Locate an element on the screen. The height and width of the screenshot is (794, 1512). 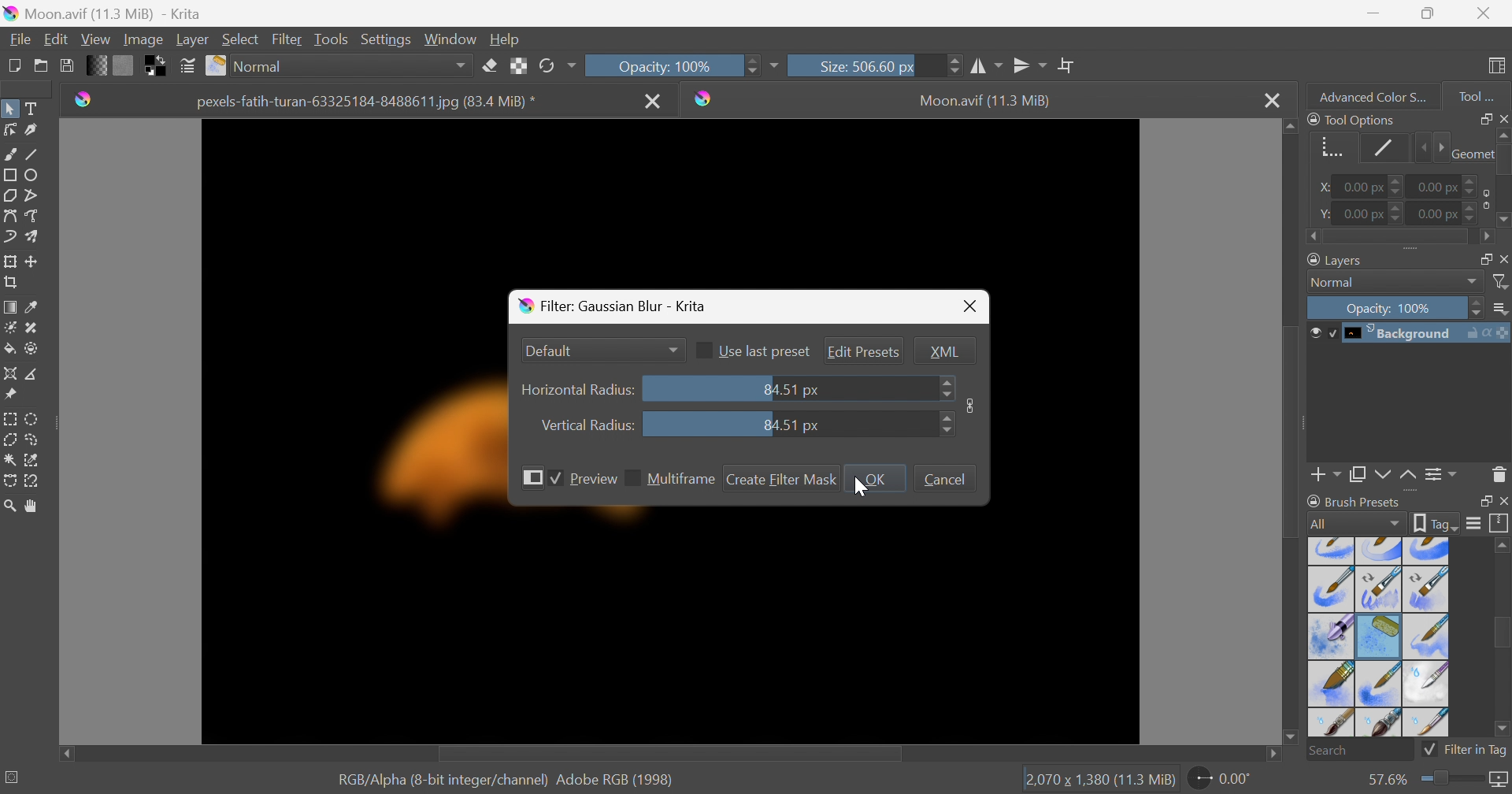
Sample a color from the image or current layer is located at coordinates (31, 304).